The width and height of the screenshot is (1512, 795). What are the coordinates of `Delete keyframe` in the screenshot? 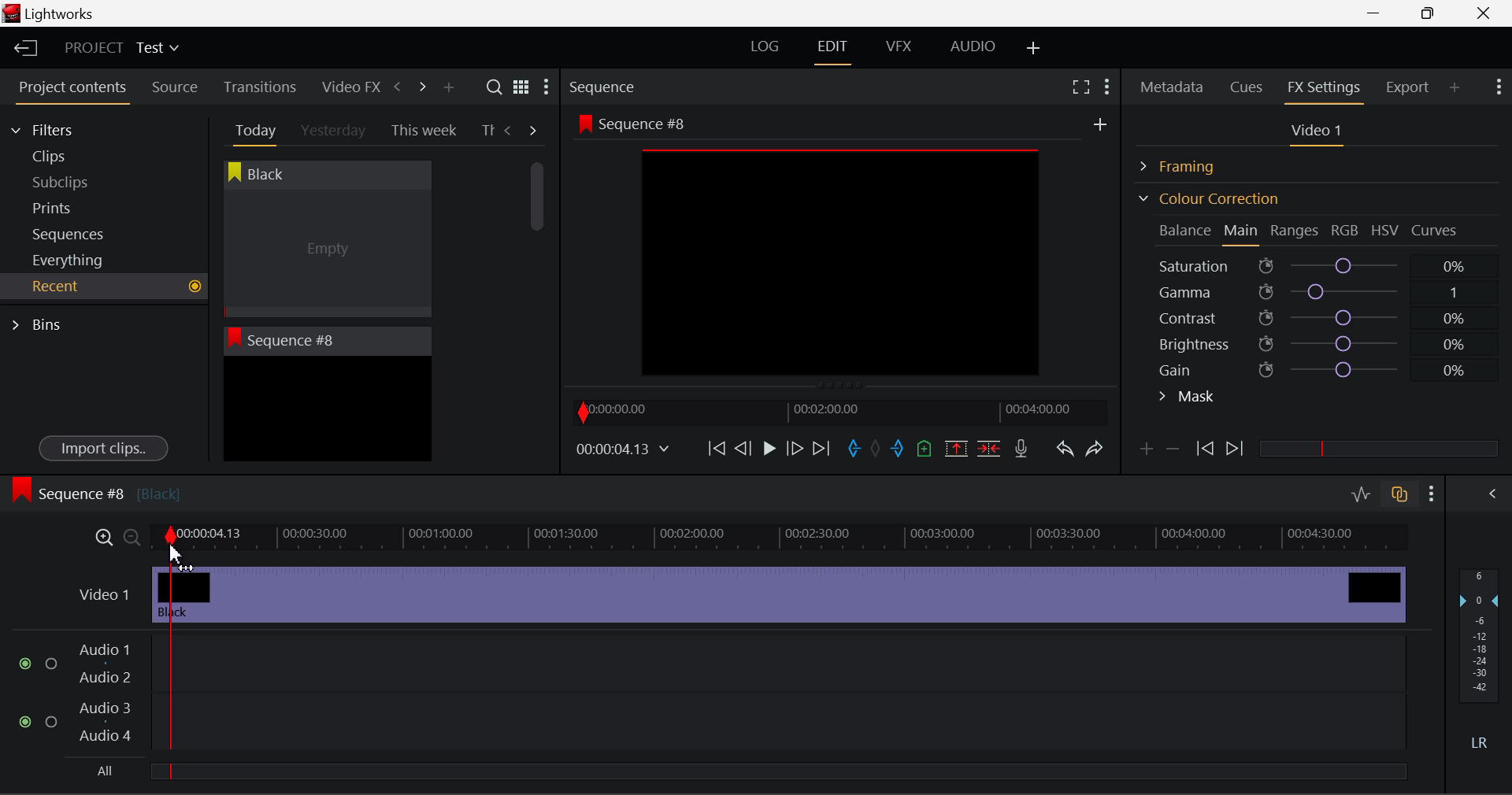 It's located at (1173, 452).